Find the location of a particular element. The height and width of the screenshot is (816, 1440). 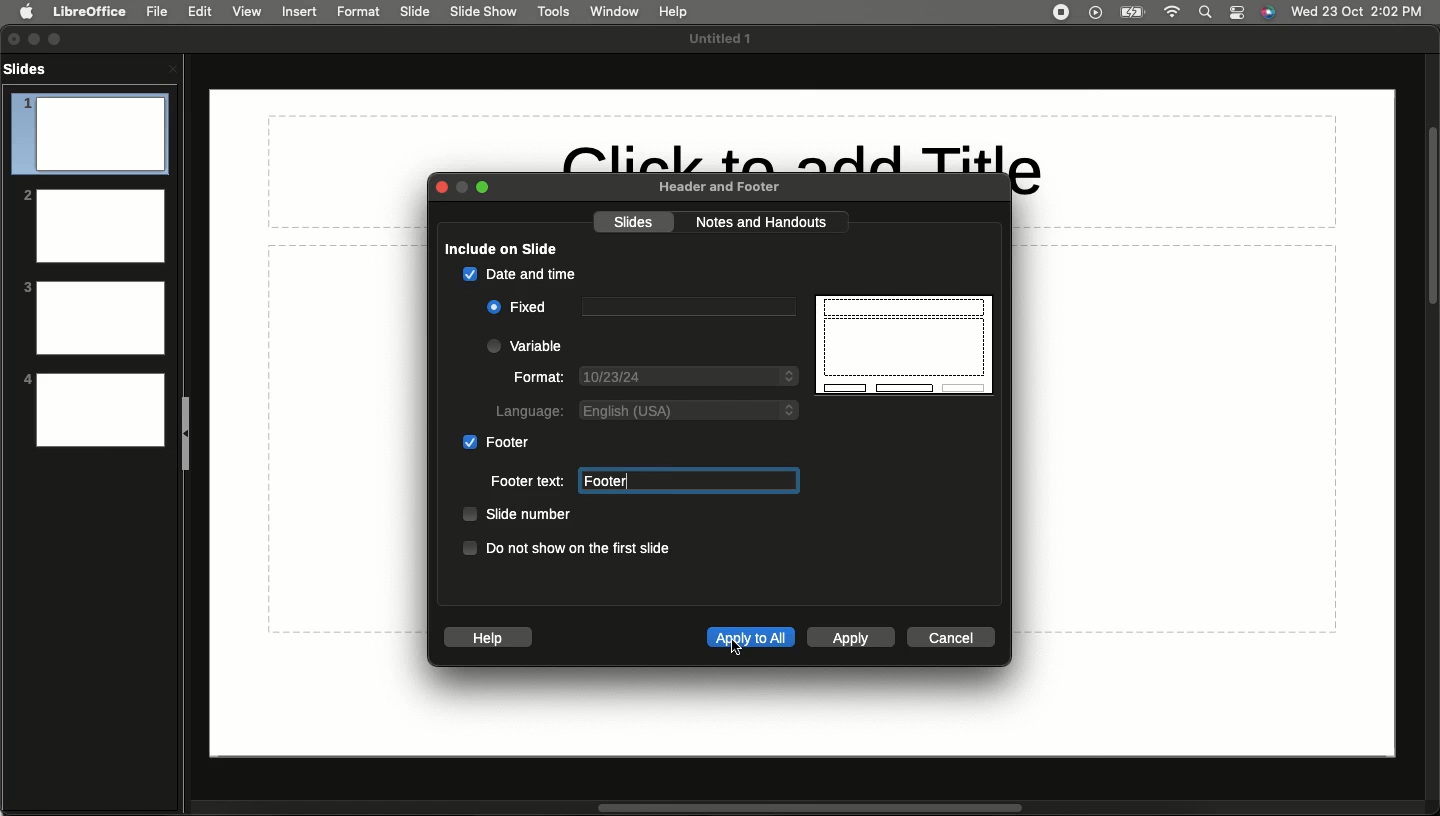

Charge is located at coordinates (1132, 12).